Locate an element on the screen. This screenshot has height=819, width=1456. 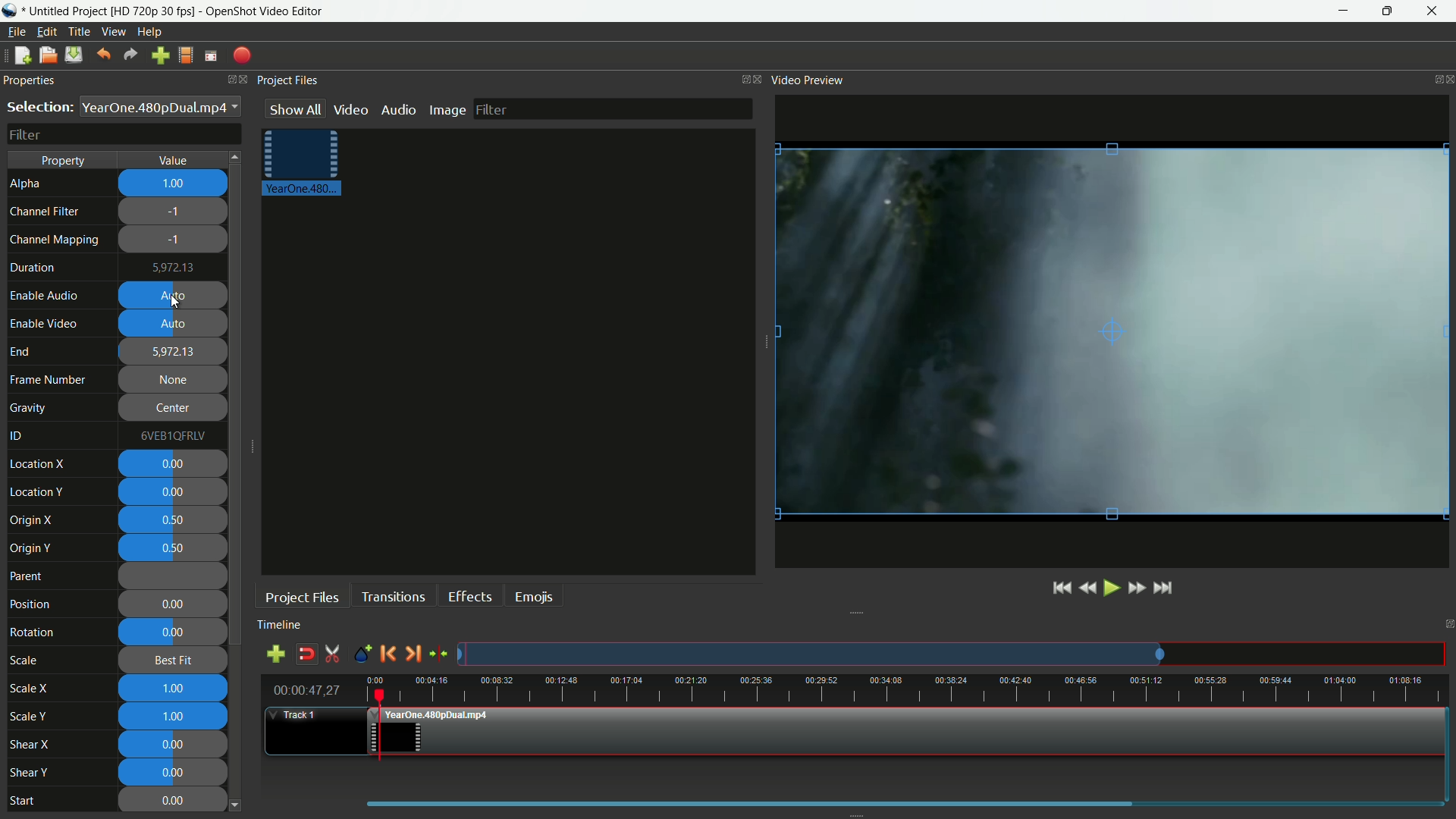
scale is located at coordinates (25, 661).